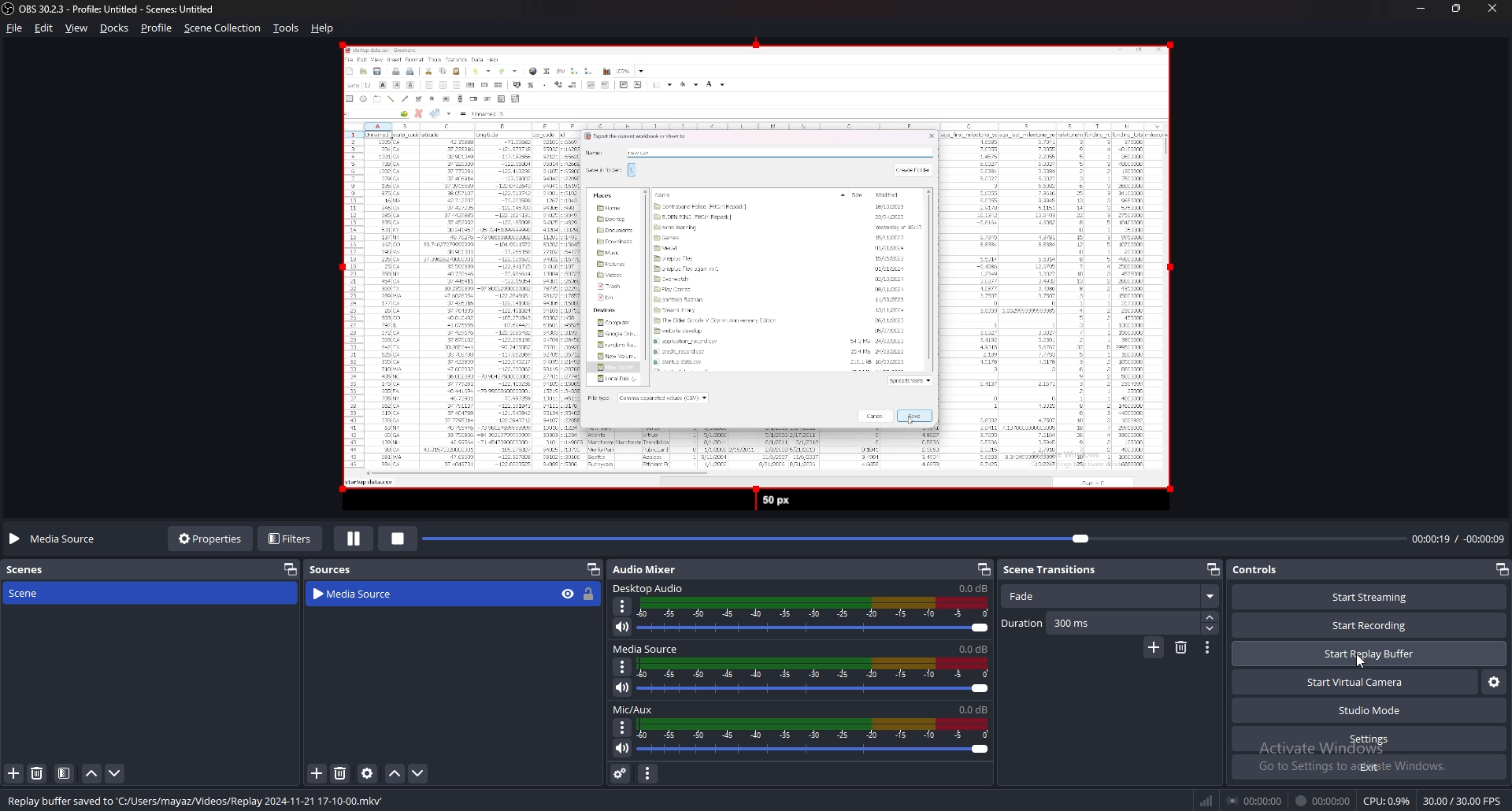 This screenshot has width=1512, height=811. Describe the element at coordinates (1501, 569) in the screenshot. I see `pop out` at that location.